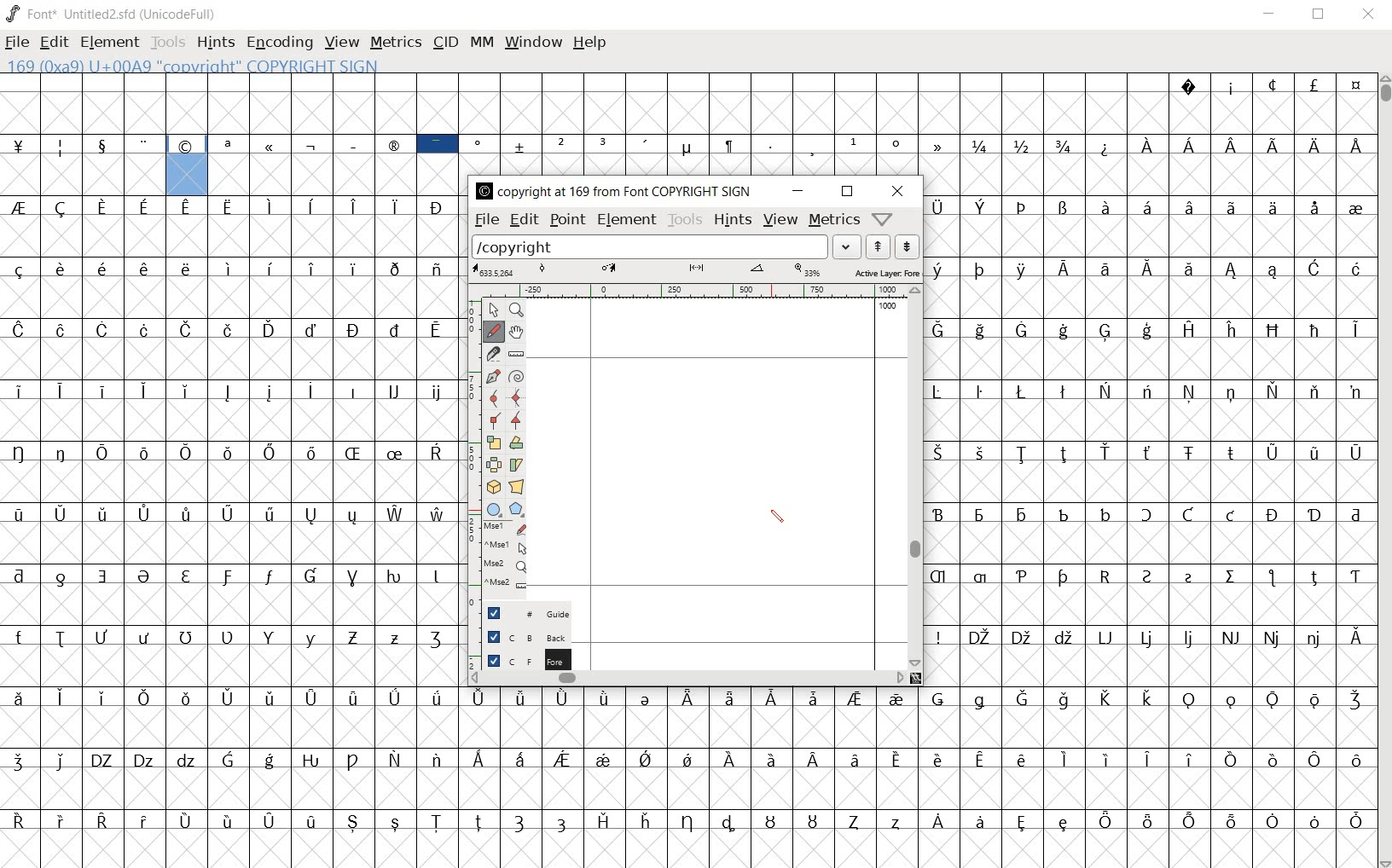 The height and width of the screenshot is (868, 1392). I want to click on draw a freehand curve, so click(493, 331).